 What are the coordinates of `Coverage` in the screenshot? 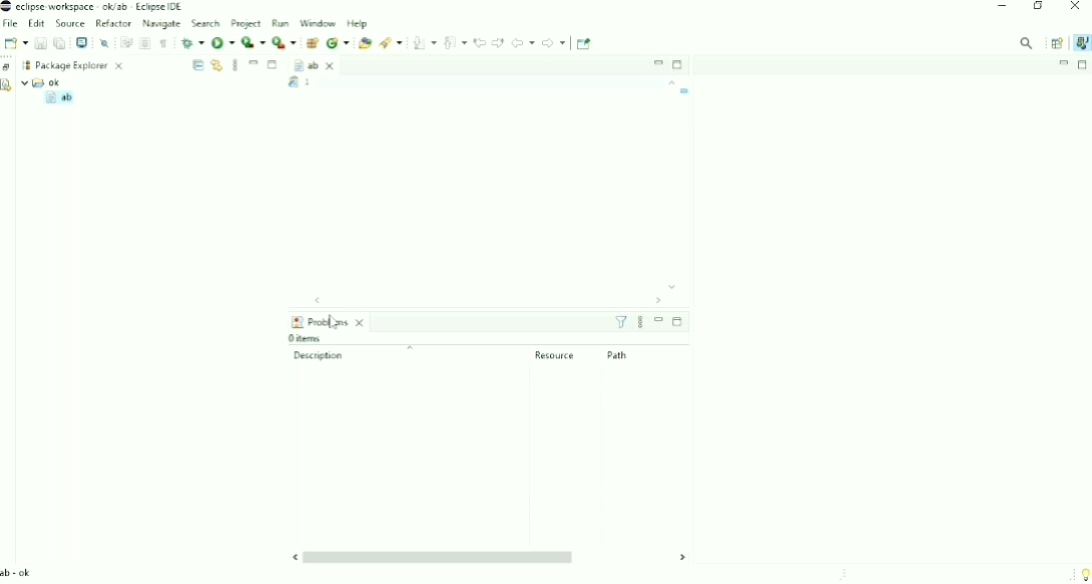 It's located at (254, 42).